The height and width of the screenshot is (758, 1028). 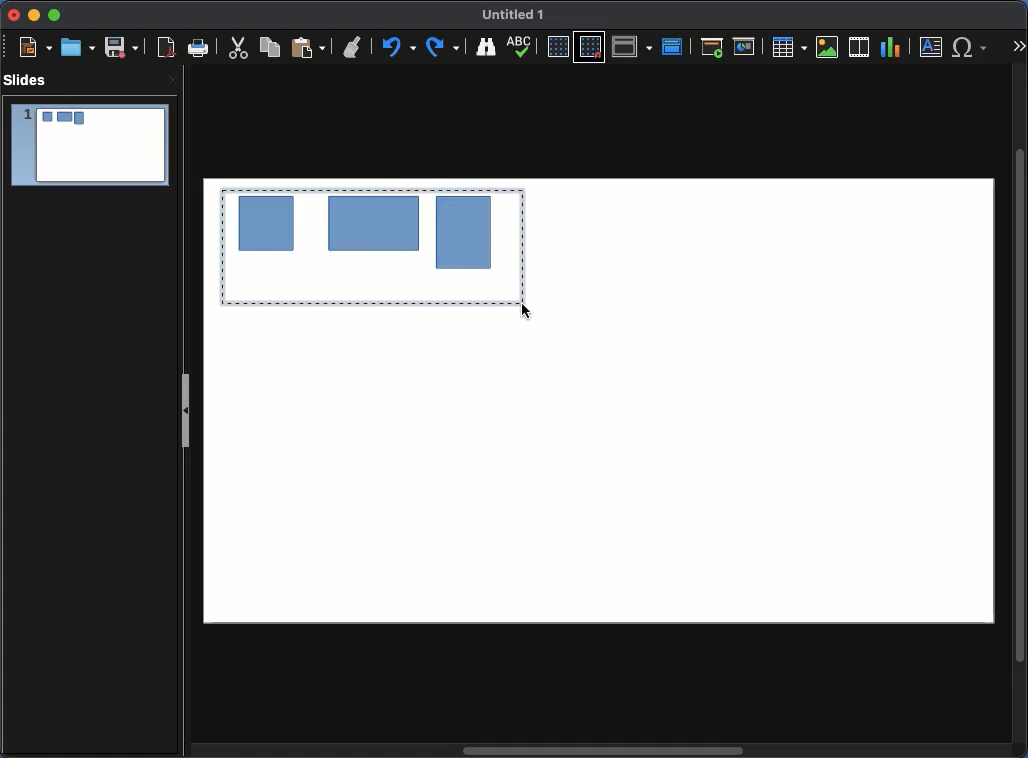 What do you see at coordinates (171, 82) in the screenshot?
I see `Close` at bounding box center [171, 82].